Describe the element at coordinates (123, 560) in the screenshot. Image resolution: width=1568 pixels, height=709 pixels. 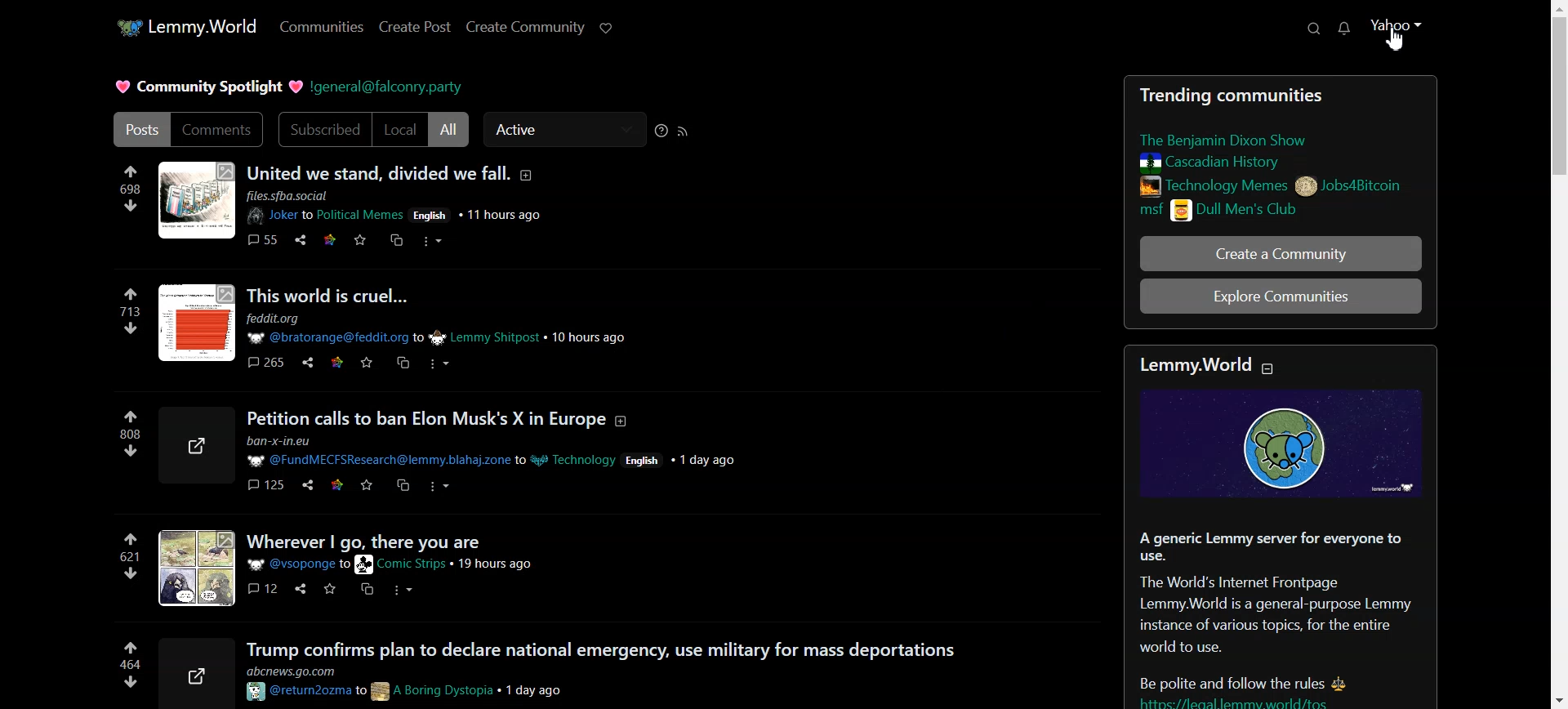
I see `621` at that location.